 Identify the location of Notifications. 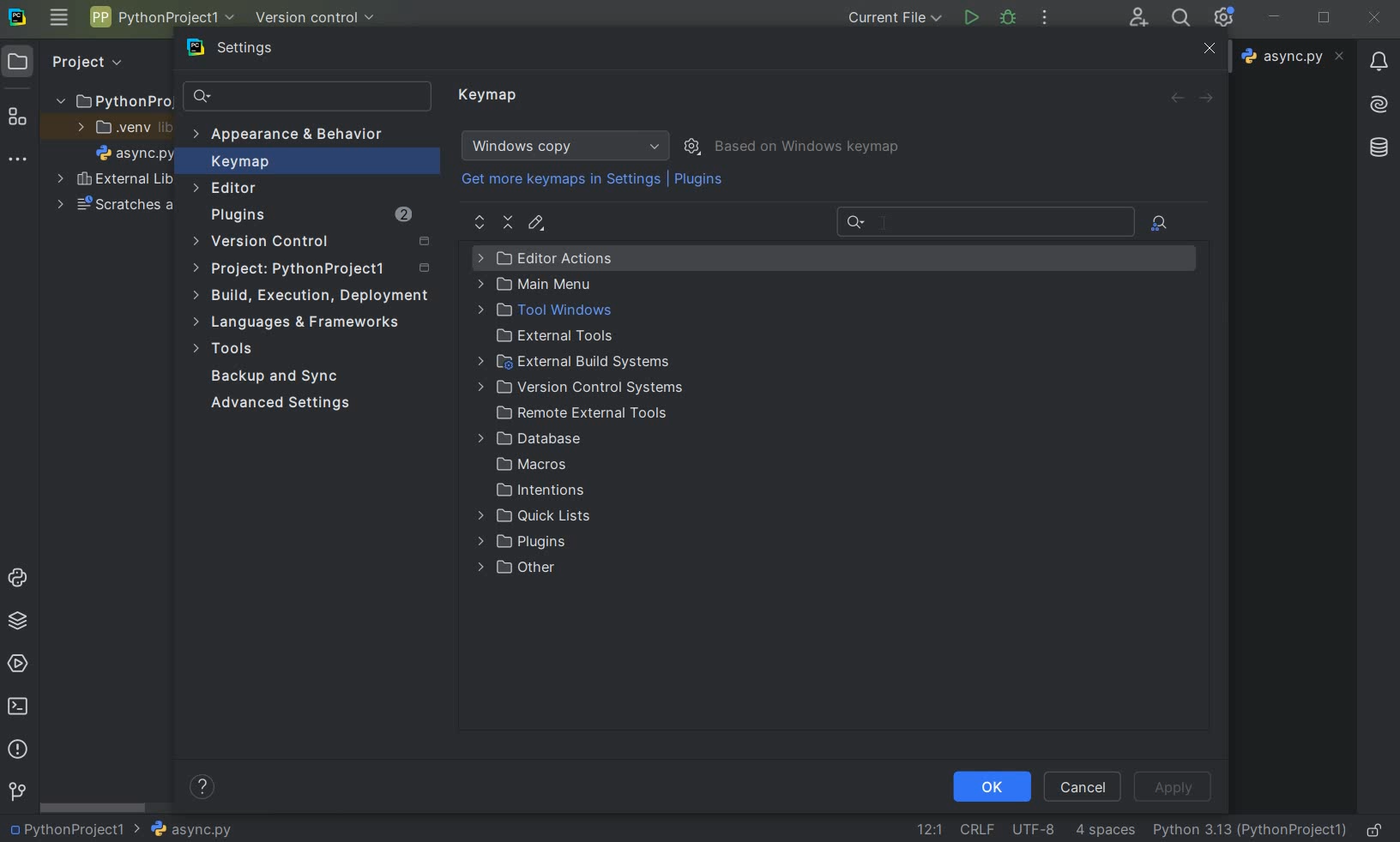
(1377, 56).